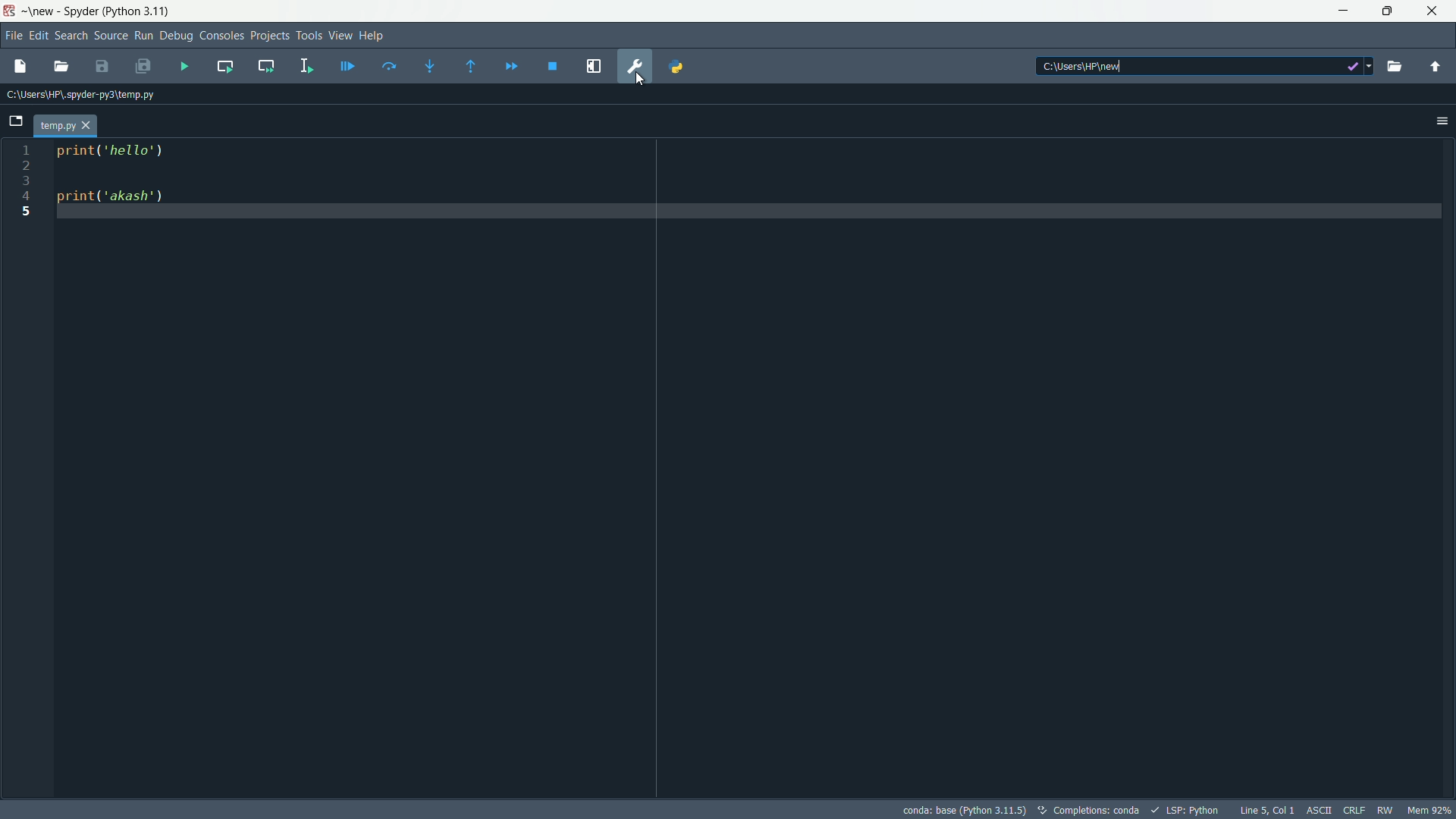 This screenshot has width=1456, height=819. I want to click on continue execution until next function, so click(510, 68).